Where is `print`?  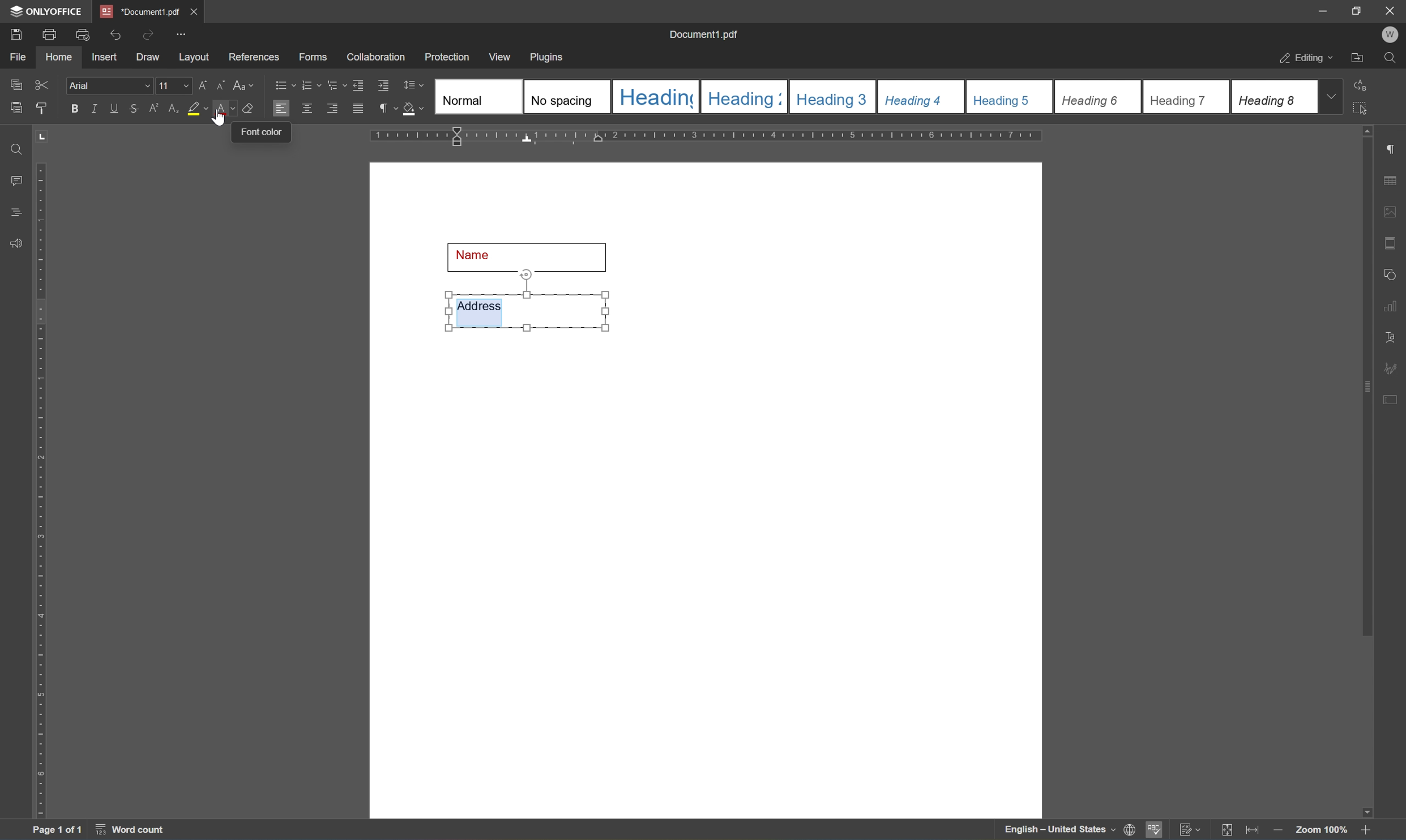 print is located at coordinates (47, 36).